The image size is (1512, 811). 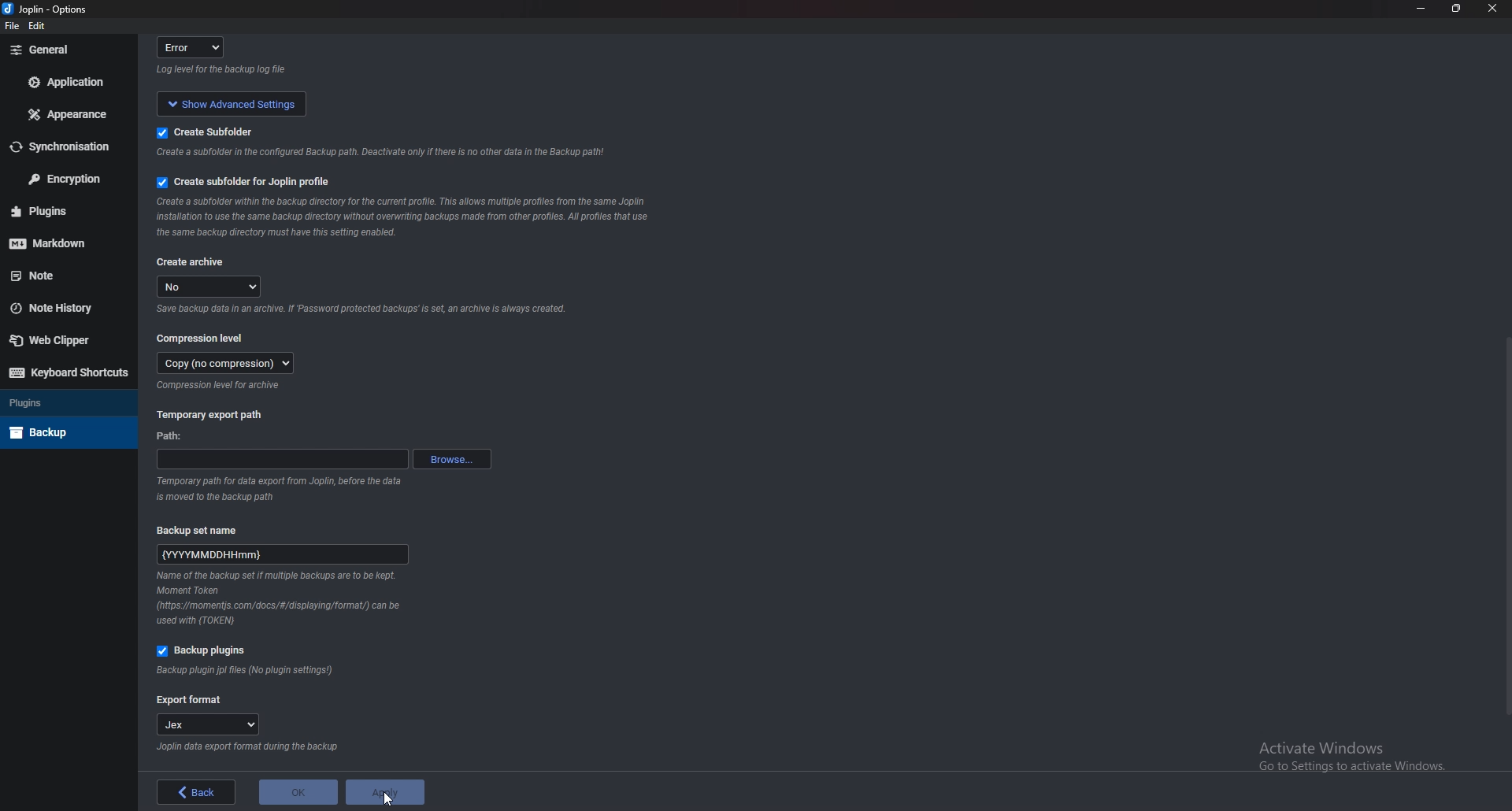 What do you see at coordinates (206, 529) in the screenshot?
I see `Backup set name` at bounding box center [206, 529].